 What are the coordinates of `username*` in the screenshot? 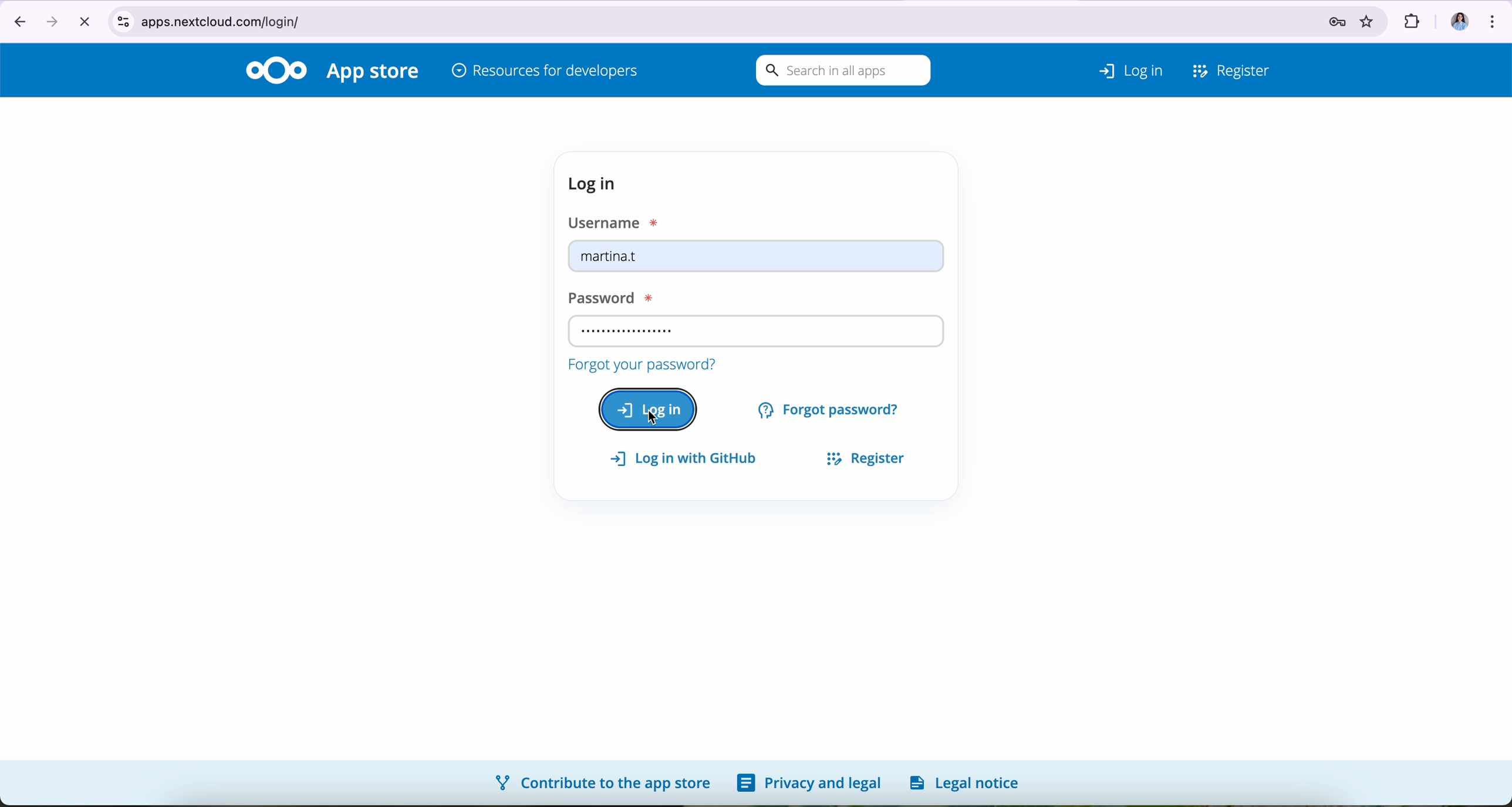 It's located at (616, 221).